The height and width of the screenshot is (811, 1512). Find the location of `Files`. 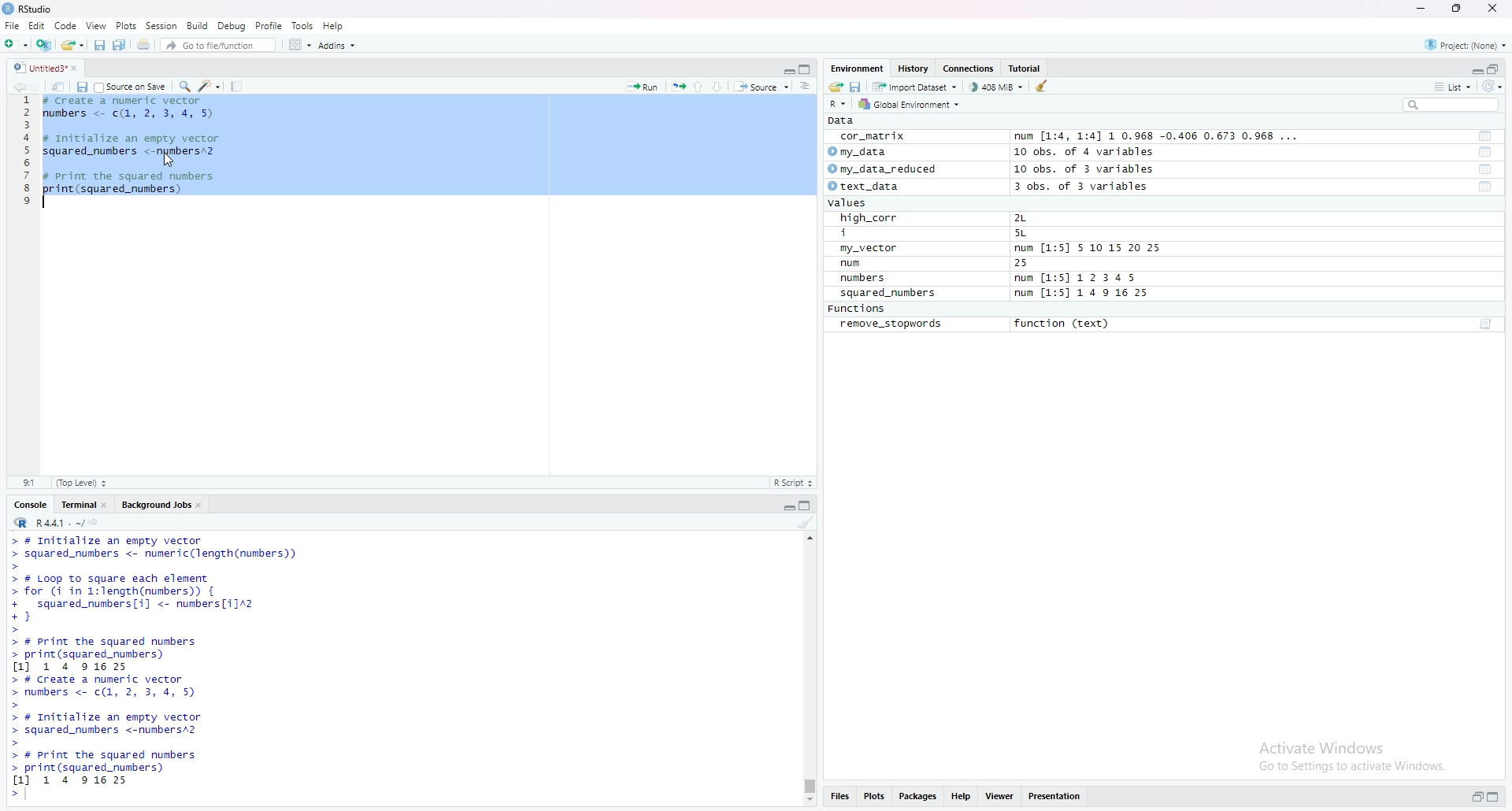

Files is located at coordinates (839, 798).